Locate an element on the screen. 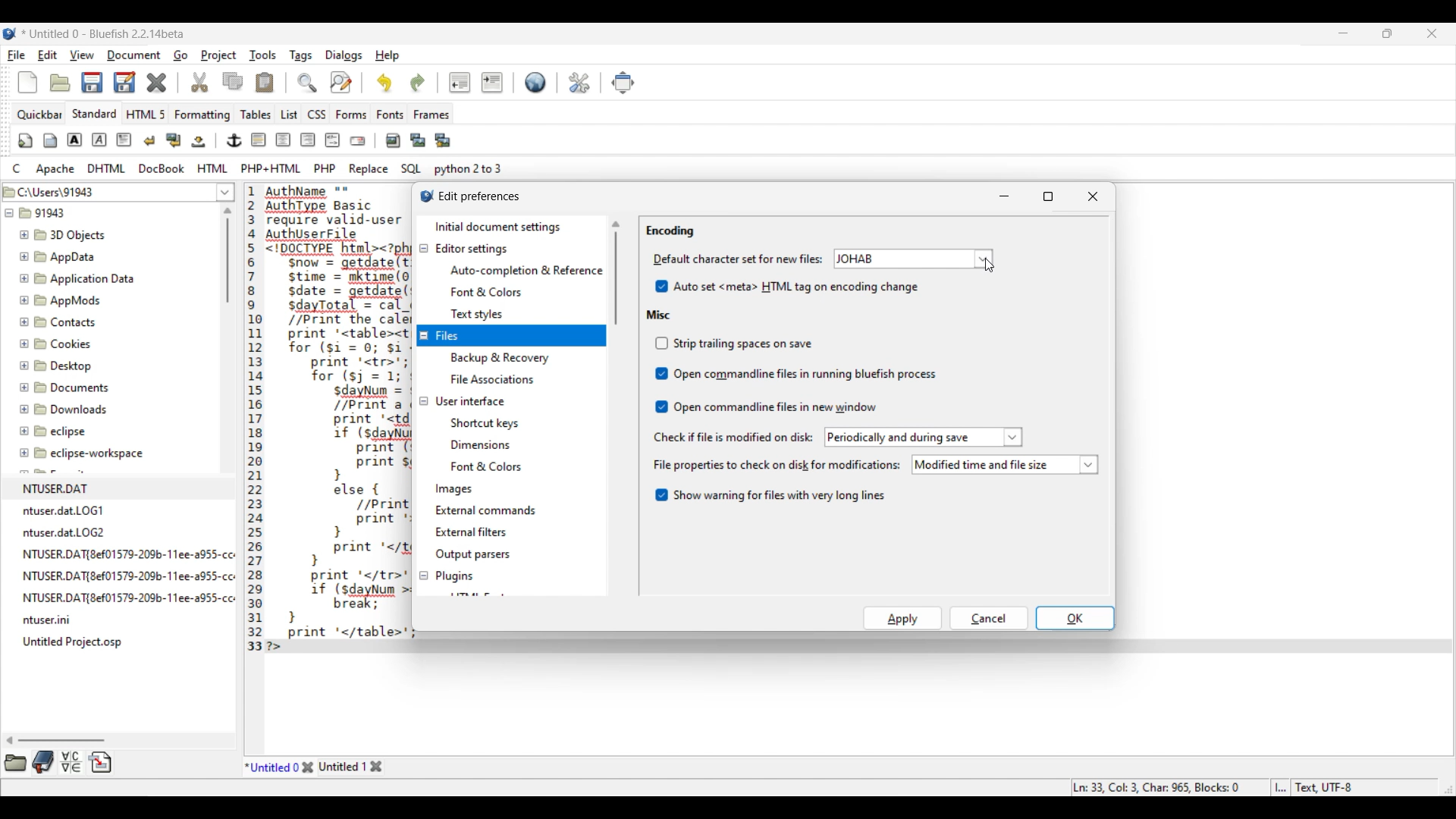 Image resolution: width=1456 pixels, height=819 pixels. Search and replace is located at coordinates (325, 82).